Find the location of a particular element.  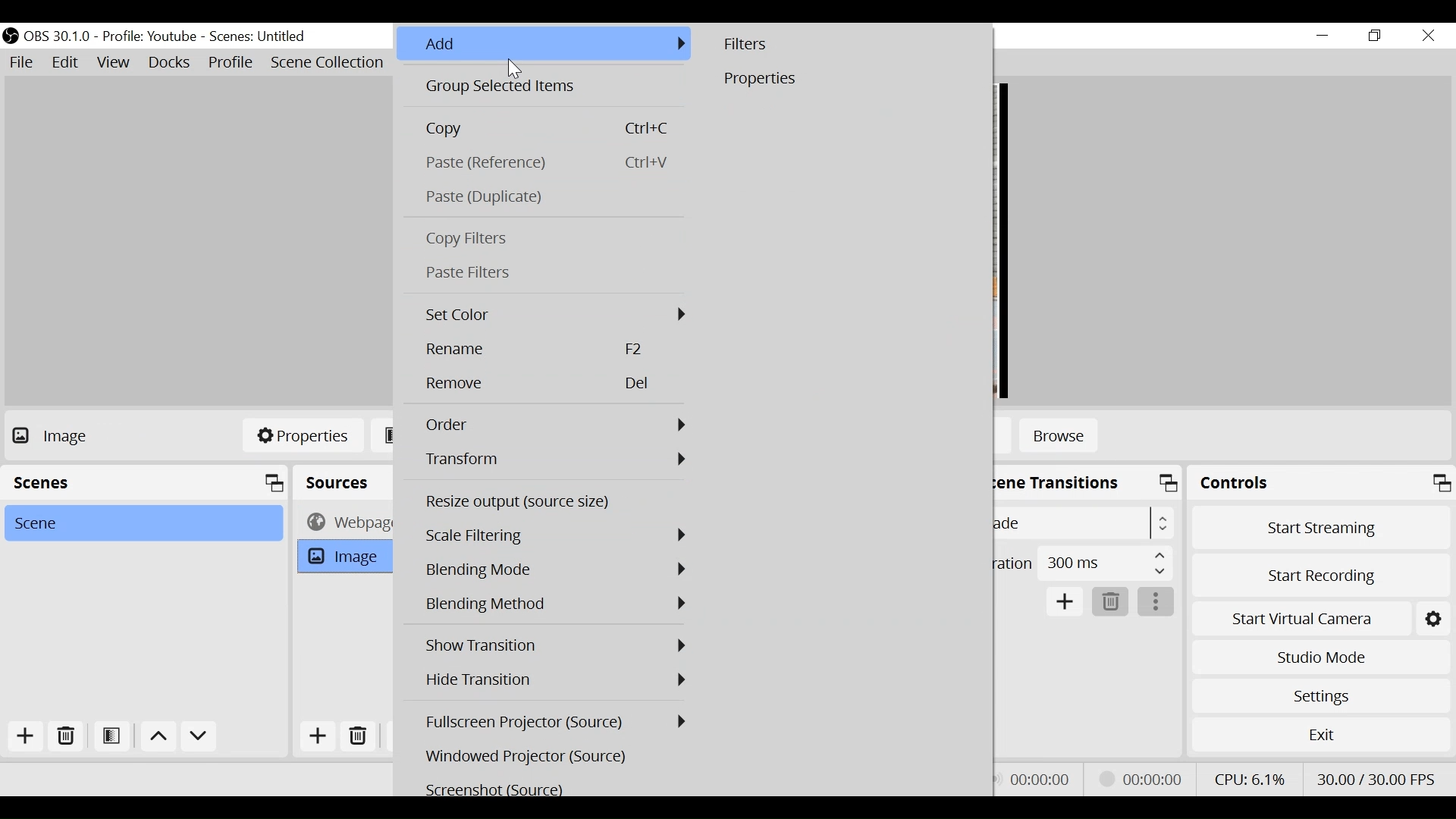

Order is located at coordinates (554, 425).